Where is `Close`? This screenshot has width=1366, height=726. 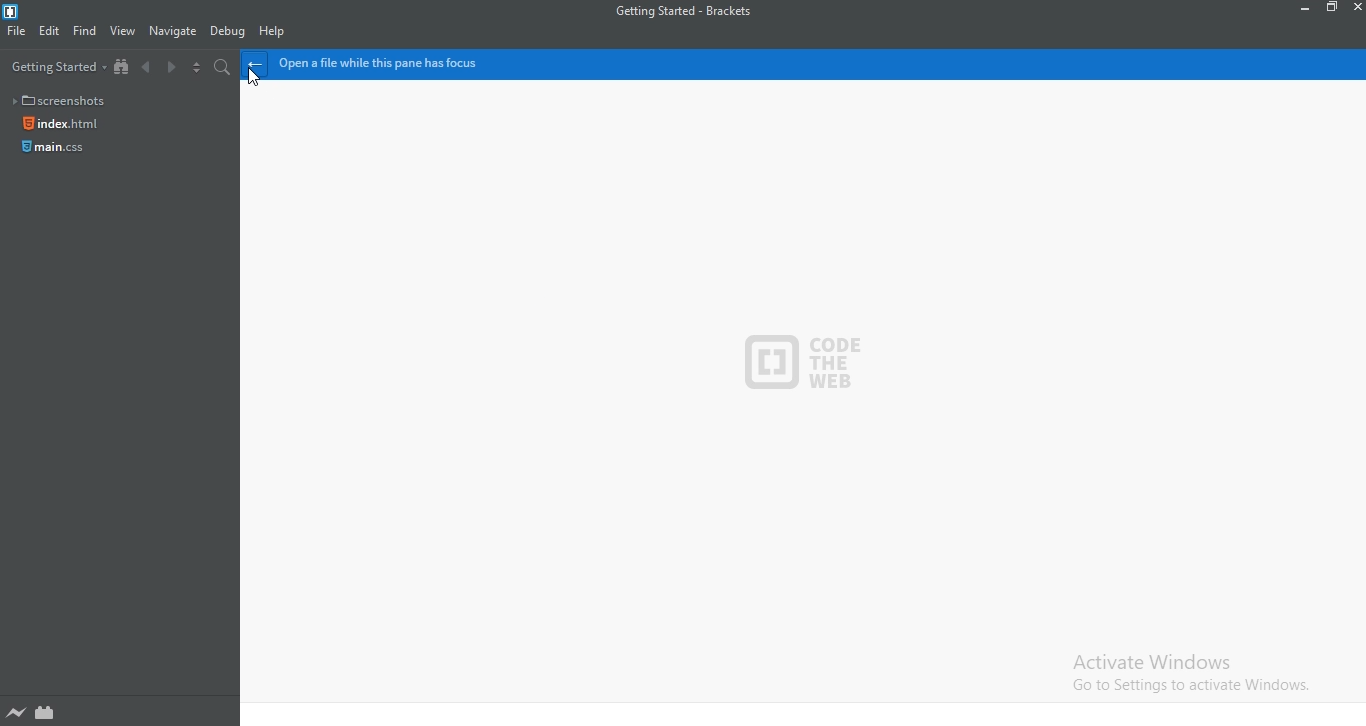 Close is located at coordinates (1356, 8).